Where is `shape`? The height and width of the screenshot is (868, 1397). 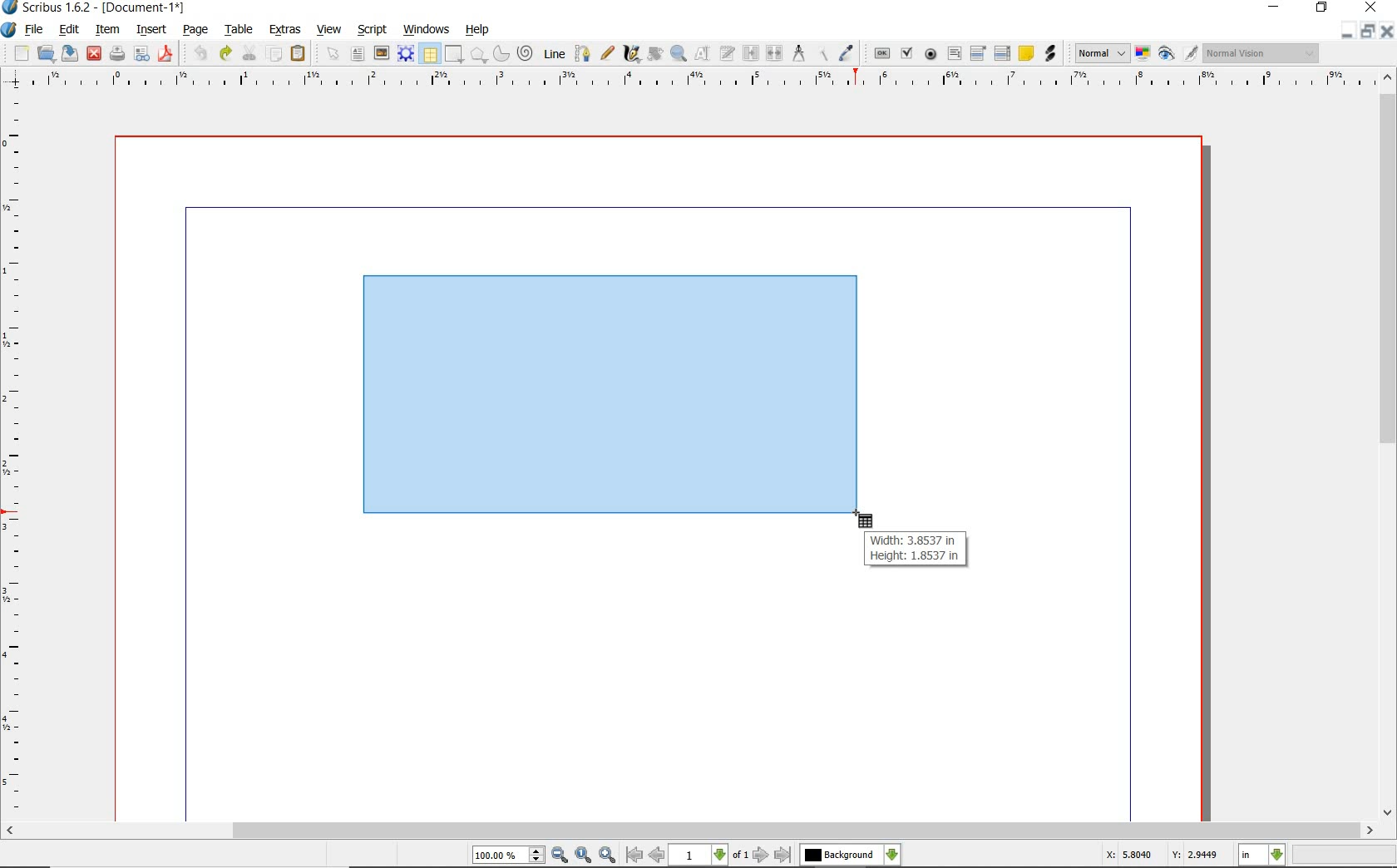 shape is located at coordinates (452, 55).